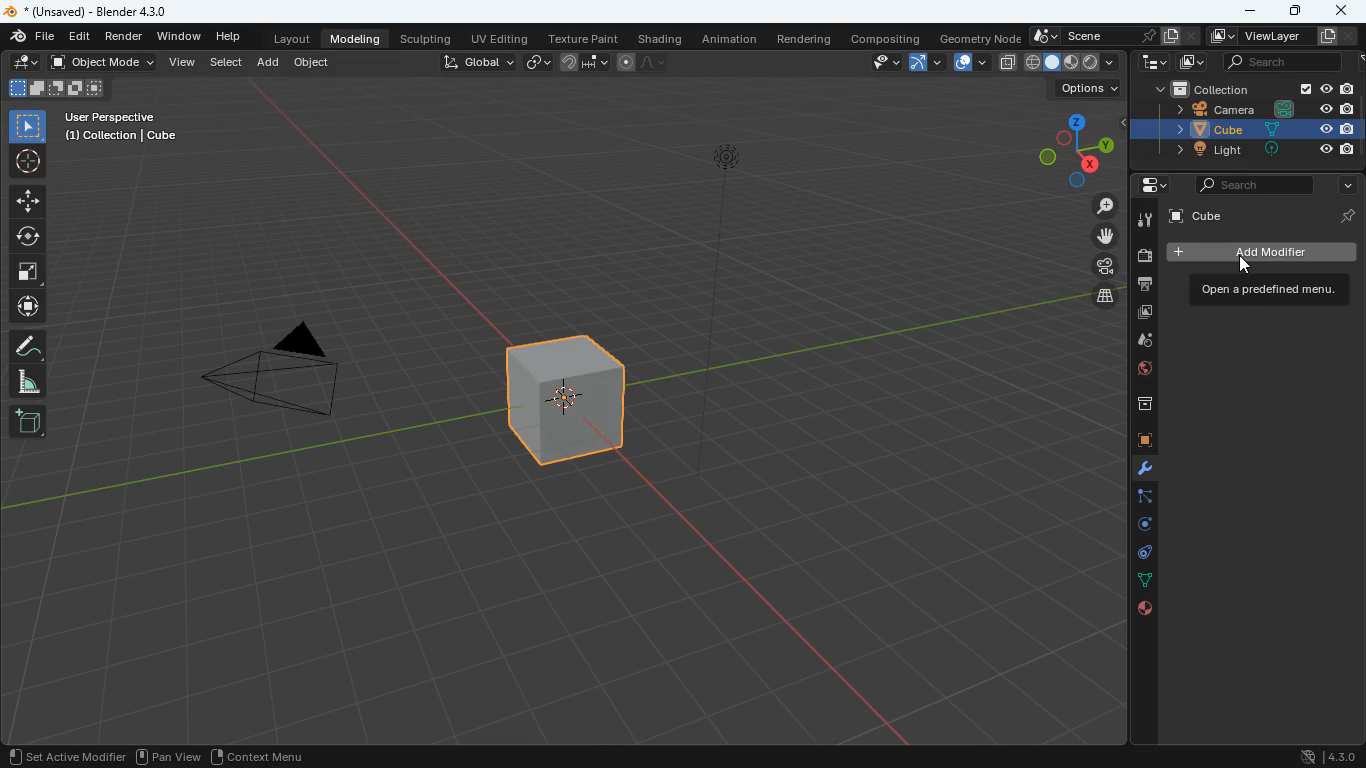  Describe the element at coordinates (1140, 555) in the screenshot. I see `control` at that location.